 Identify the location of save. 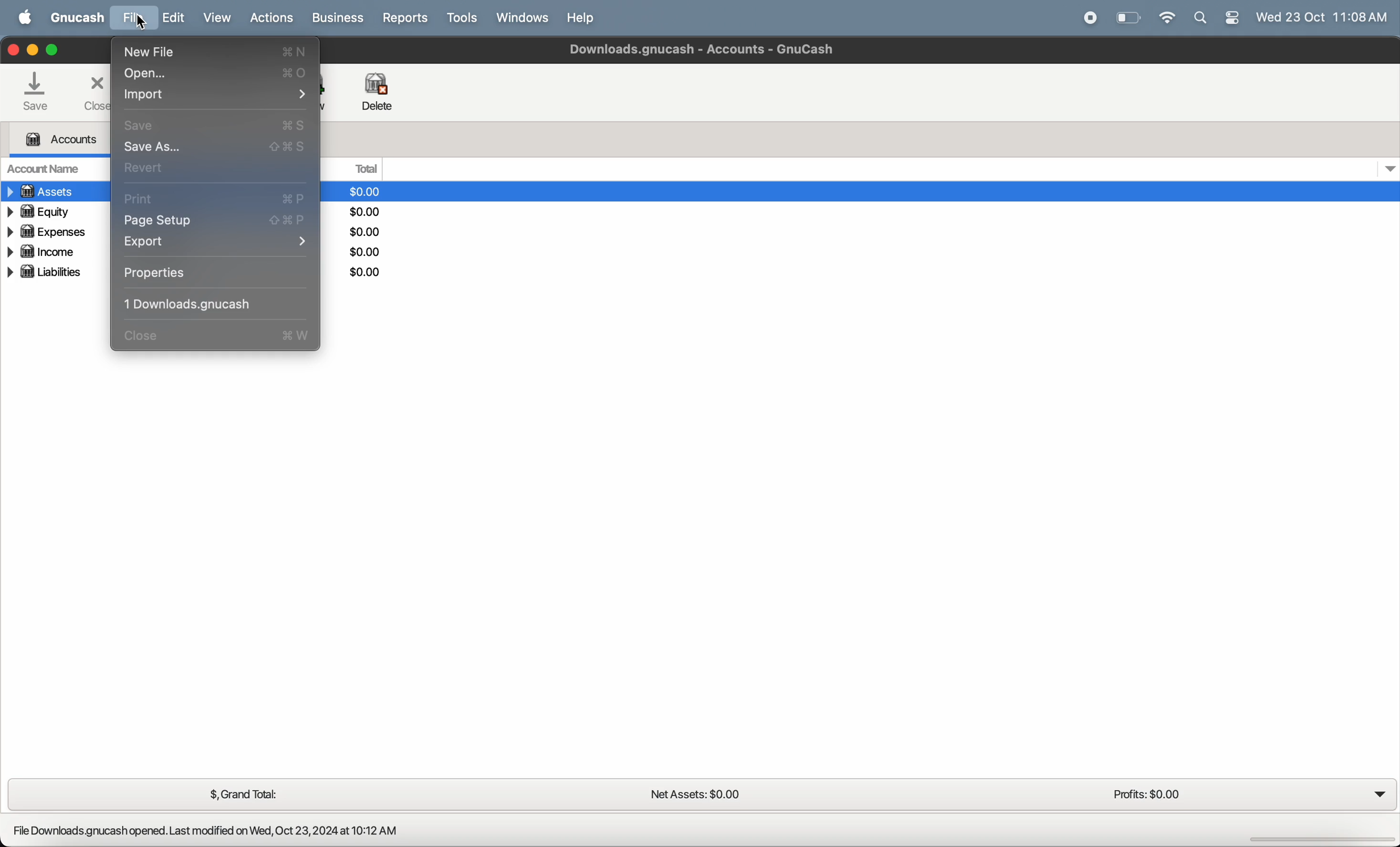
(33, 92).